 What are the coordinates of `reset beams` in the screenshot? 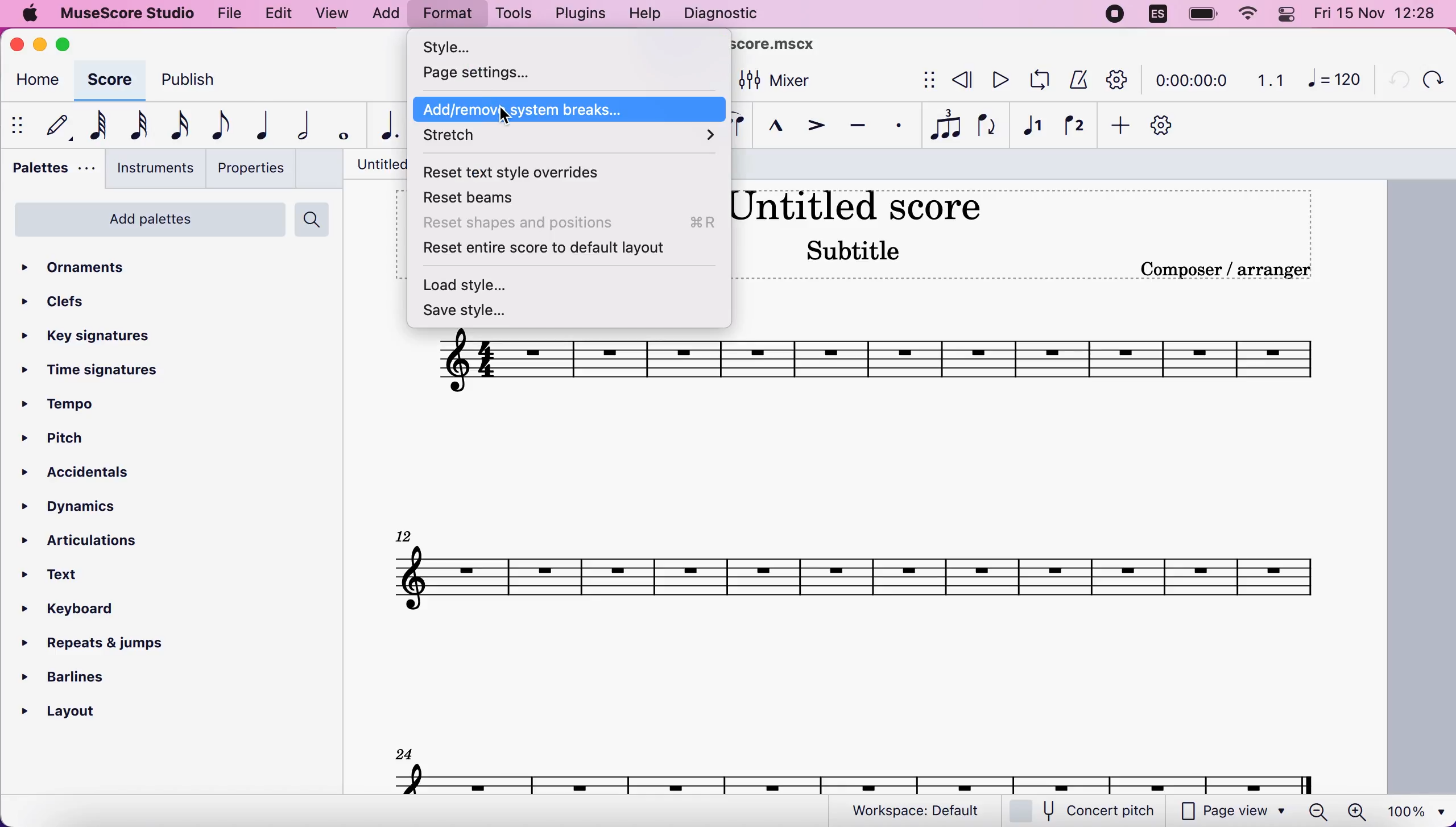 It's located at (485, 200).